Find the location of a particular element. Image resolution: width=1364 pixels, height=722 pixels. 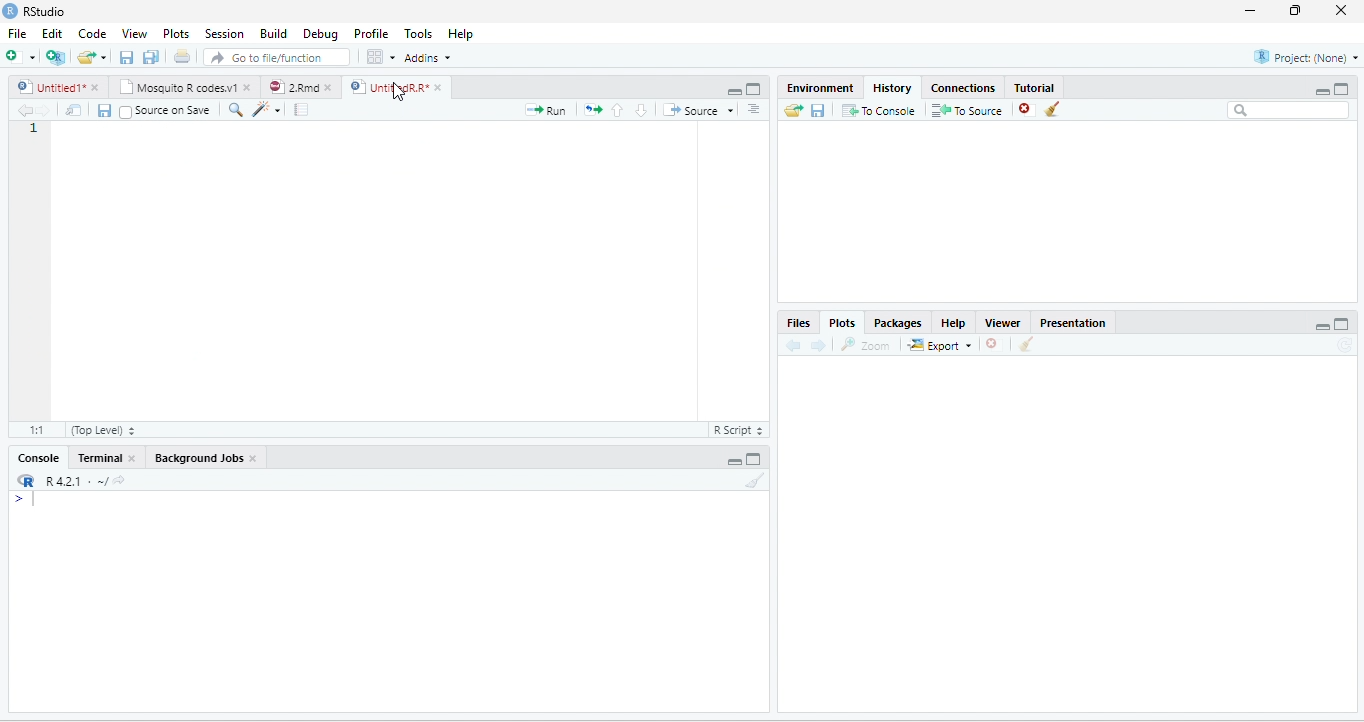

Edit is located at coordinates (51, 33).